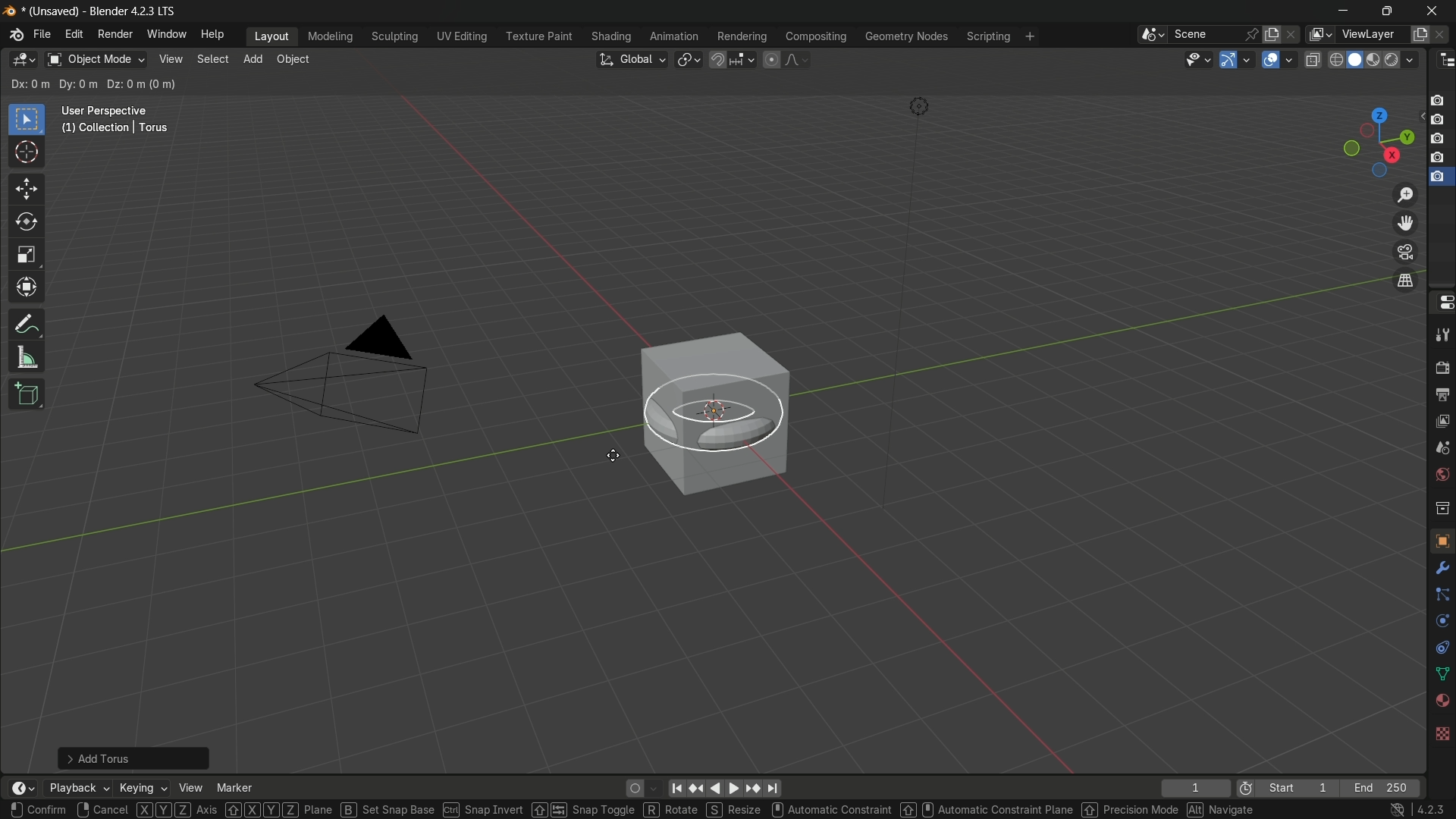  What do you see at coordinates (674, 36) in the screenshot?
I see `animation` at bounding box center [674, 36].